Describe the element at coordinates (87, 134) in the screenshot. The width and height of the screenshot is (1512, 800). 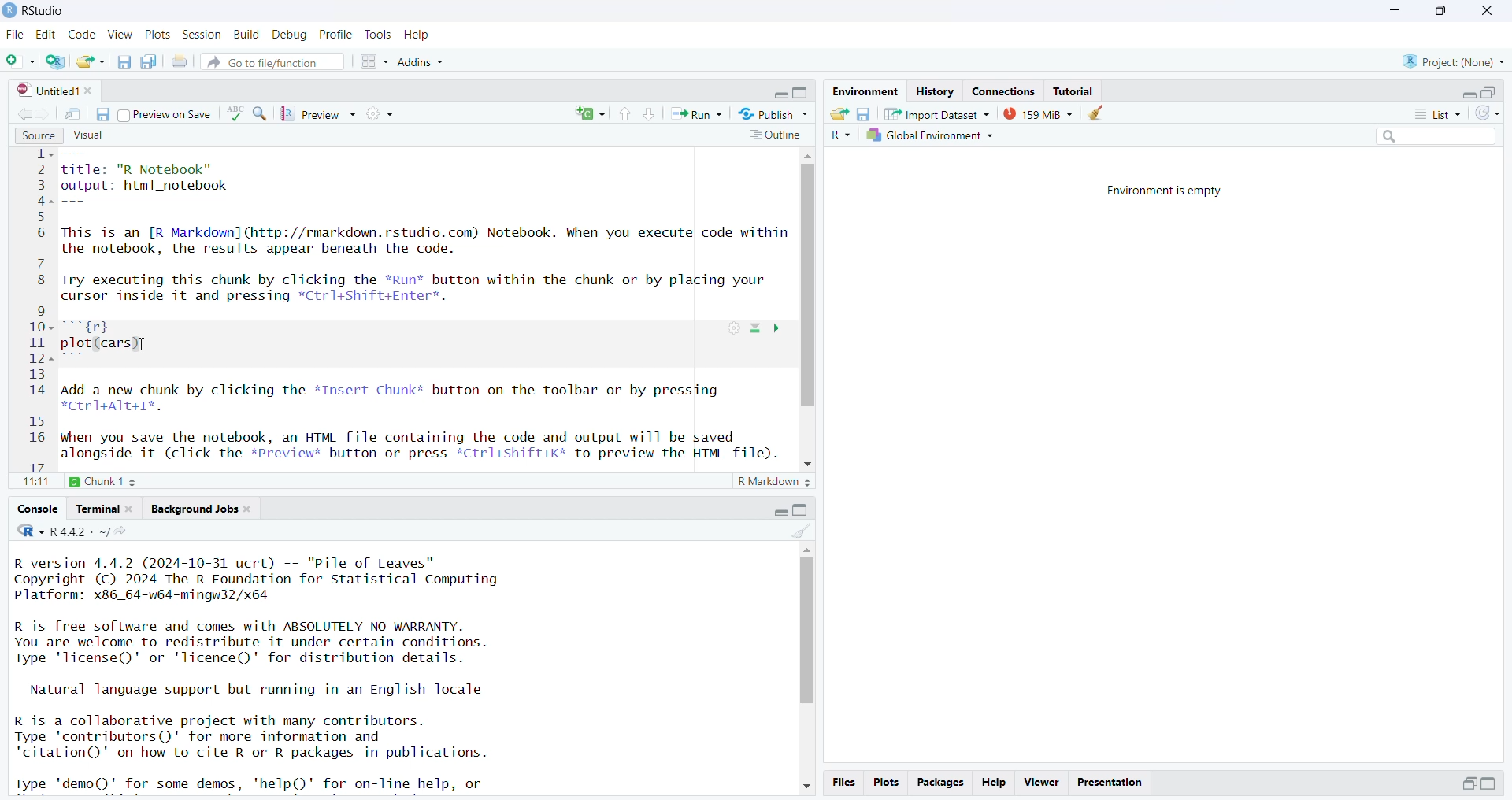
I see `visual` at that location.